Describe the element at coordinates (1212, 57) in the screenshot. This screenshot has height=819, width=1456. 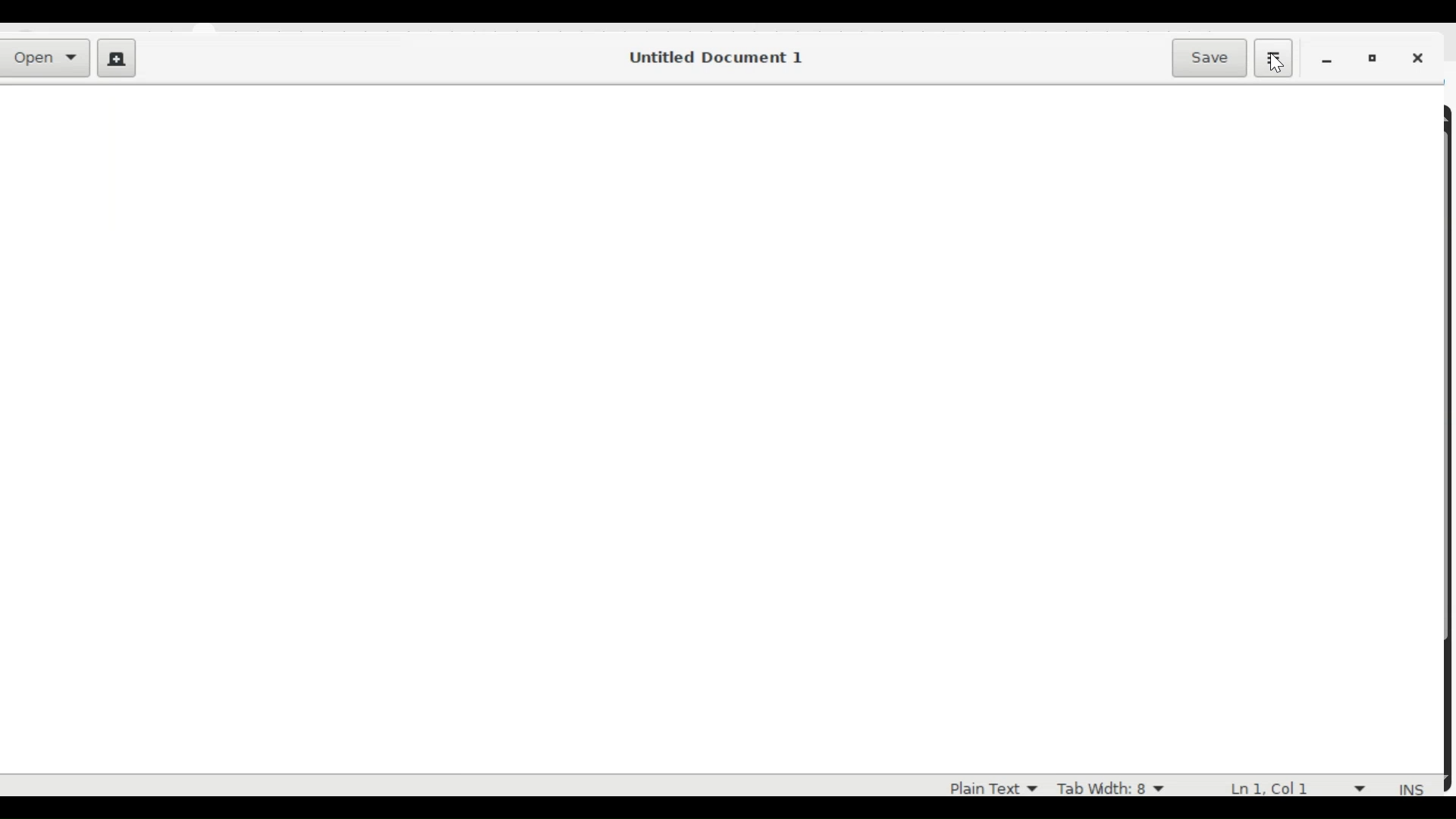
I see `Save` at that location.